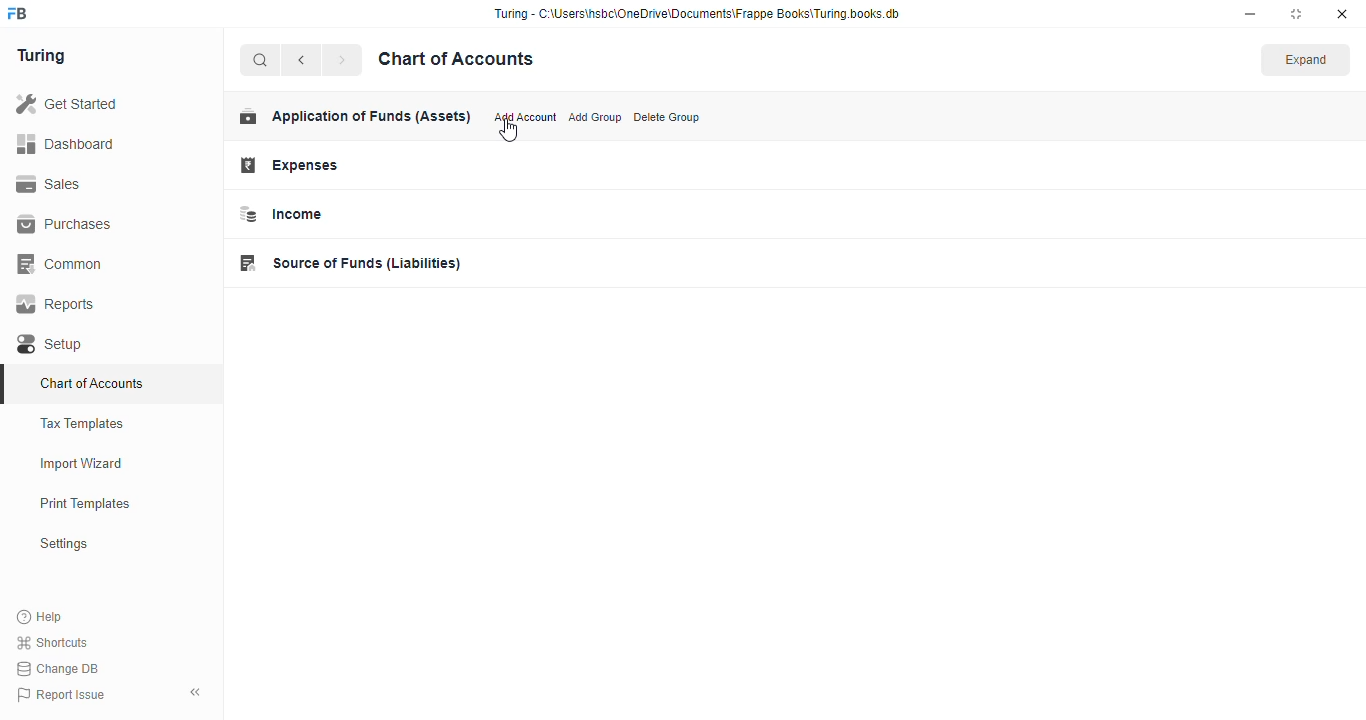  Describe the element at coordinates (1296, 14) in the screenshot. I see `maximize` at that location.